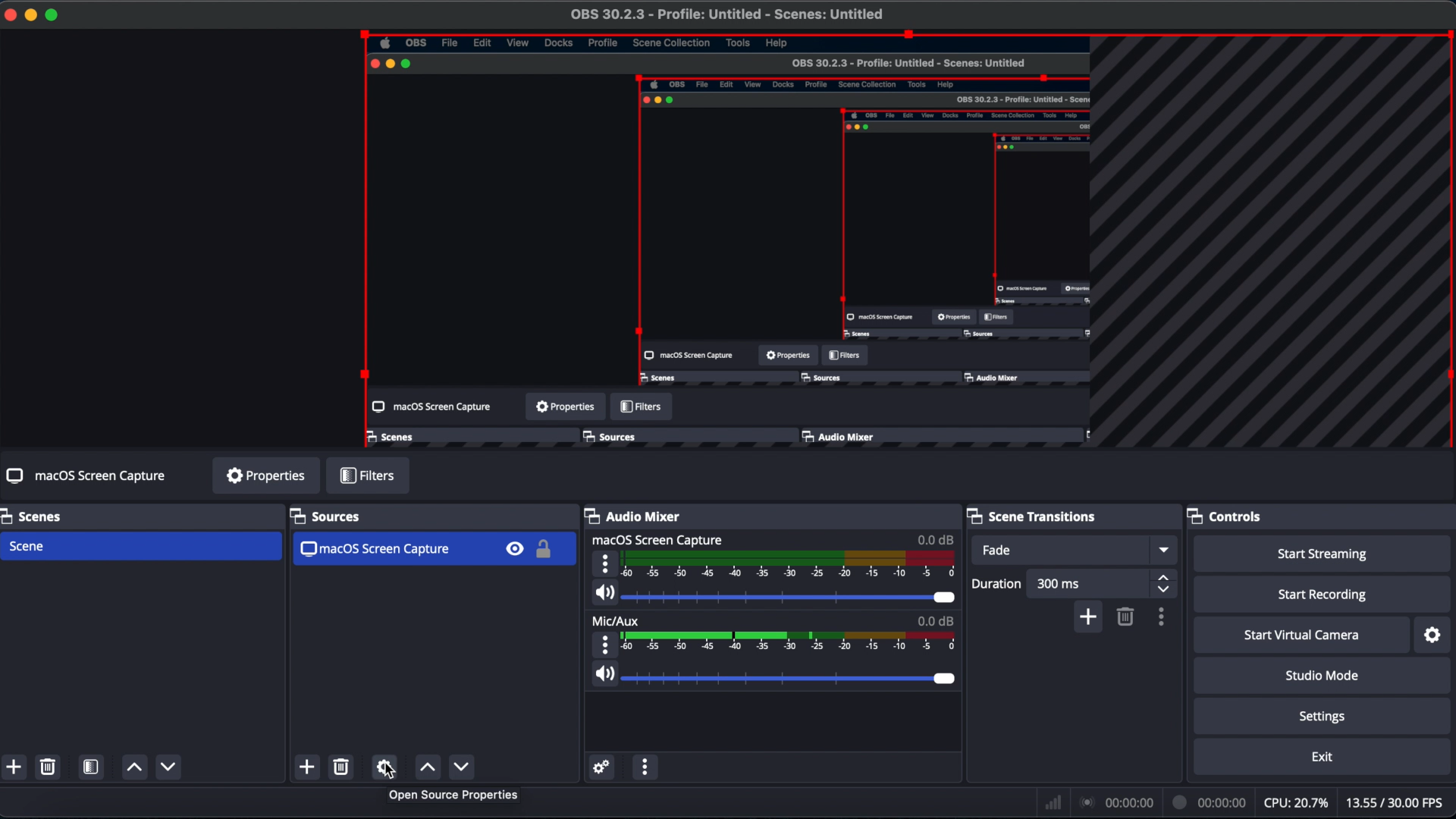 This screenshot has width=1456, height=819. I want to click on stepper buttons, so click(1163, 584).